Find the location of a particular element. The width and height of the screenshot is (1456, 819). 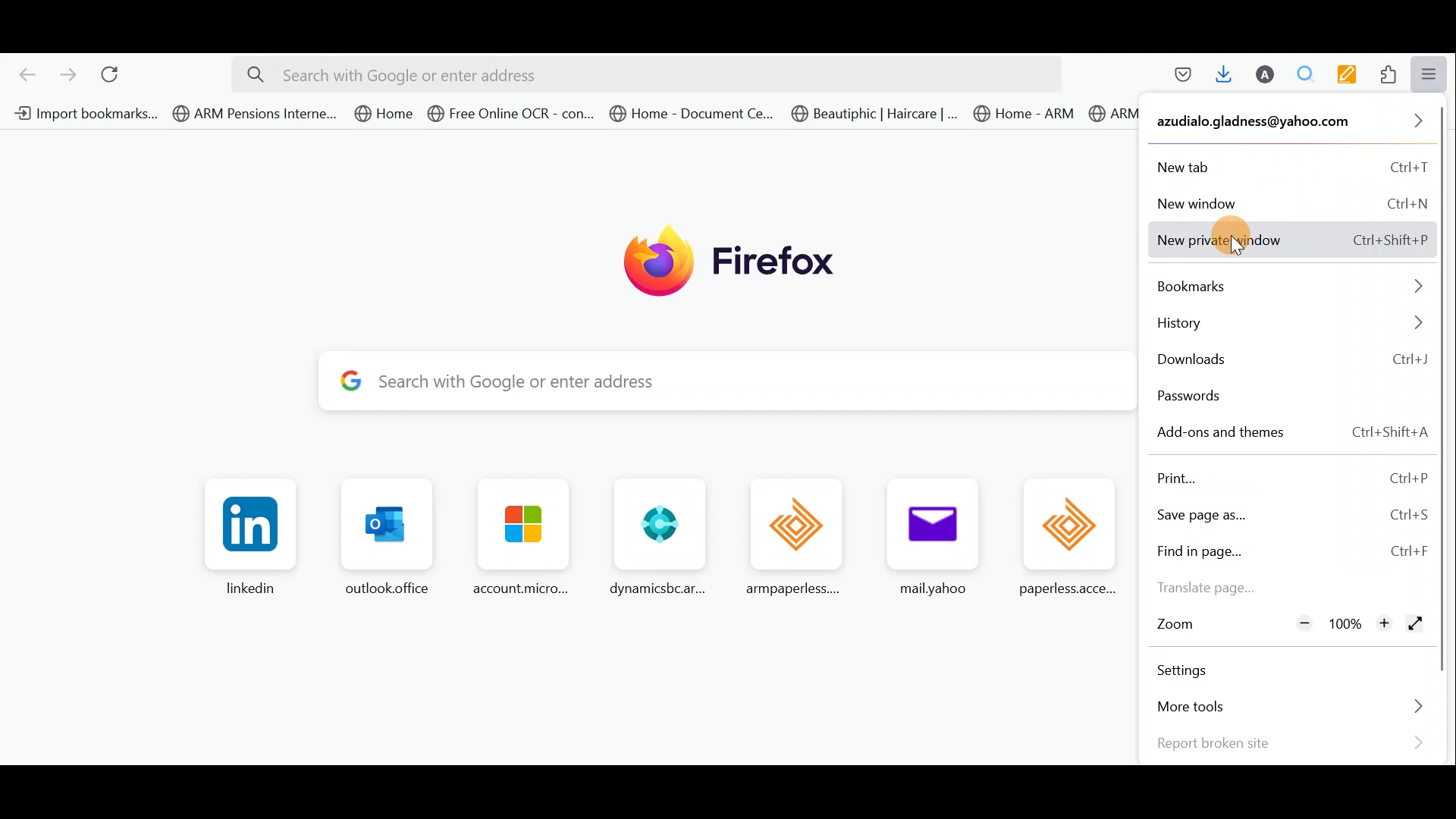

Firefox logo is located at coordinates (712, 259).